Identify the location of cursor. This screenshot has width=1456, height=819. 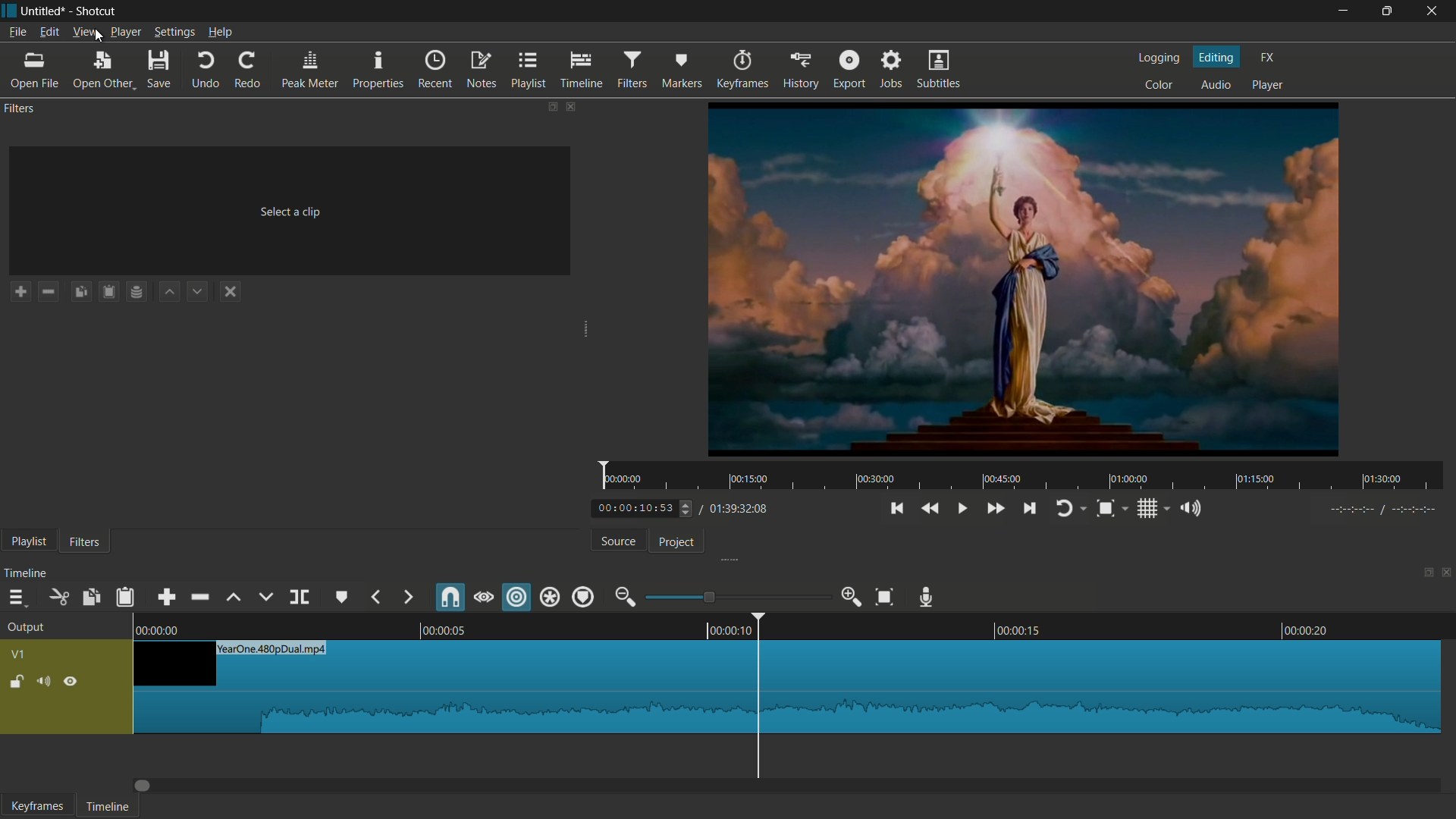
(96, 45).